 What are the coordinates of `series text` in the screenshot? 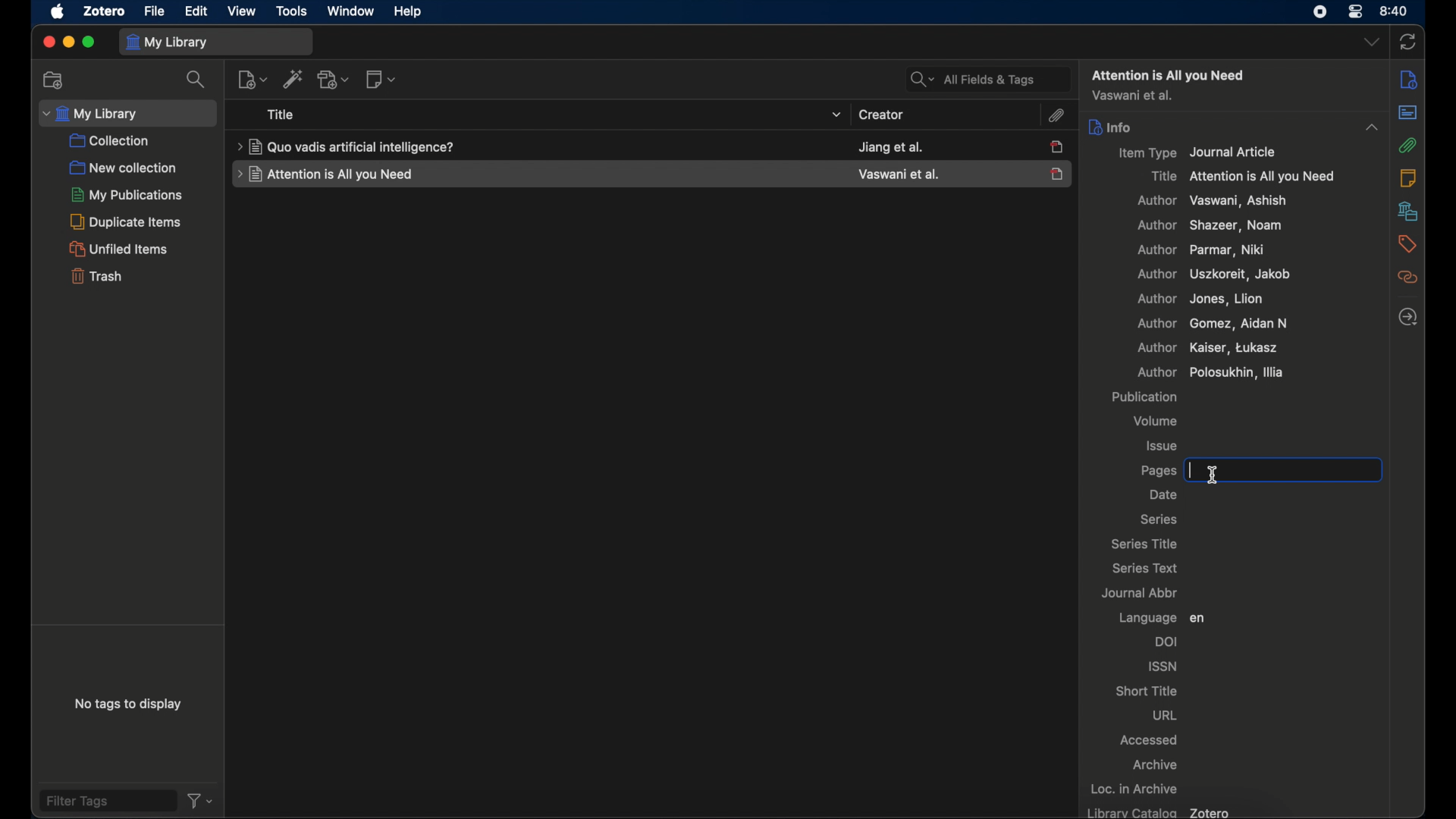 It's located at (1144, 567).